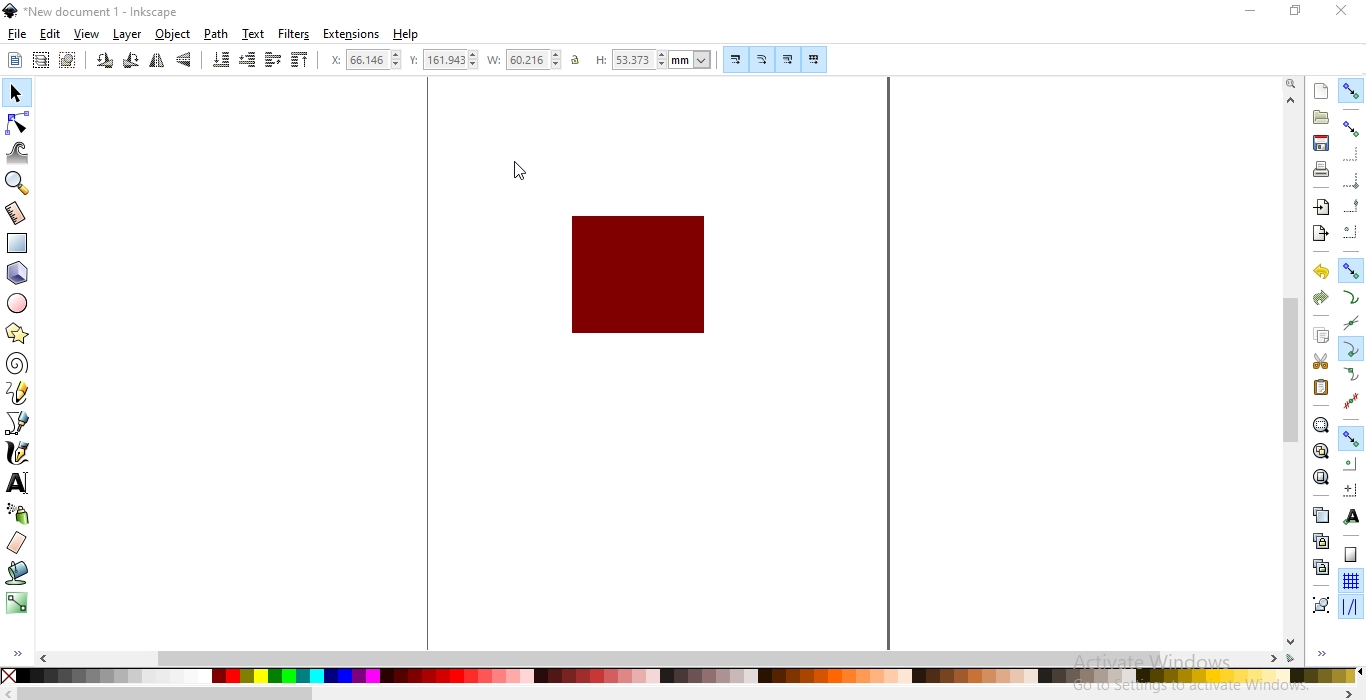  I want to click on snap midpoints of line segments, so click(1354, 399).